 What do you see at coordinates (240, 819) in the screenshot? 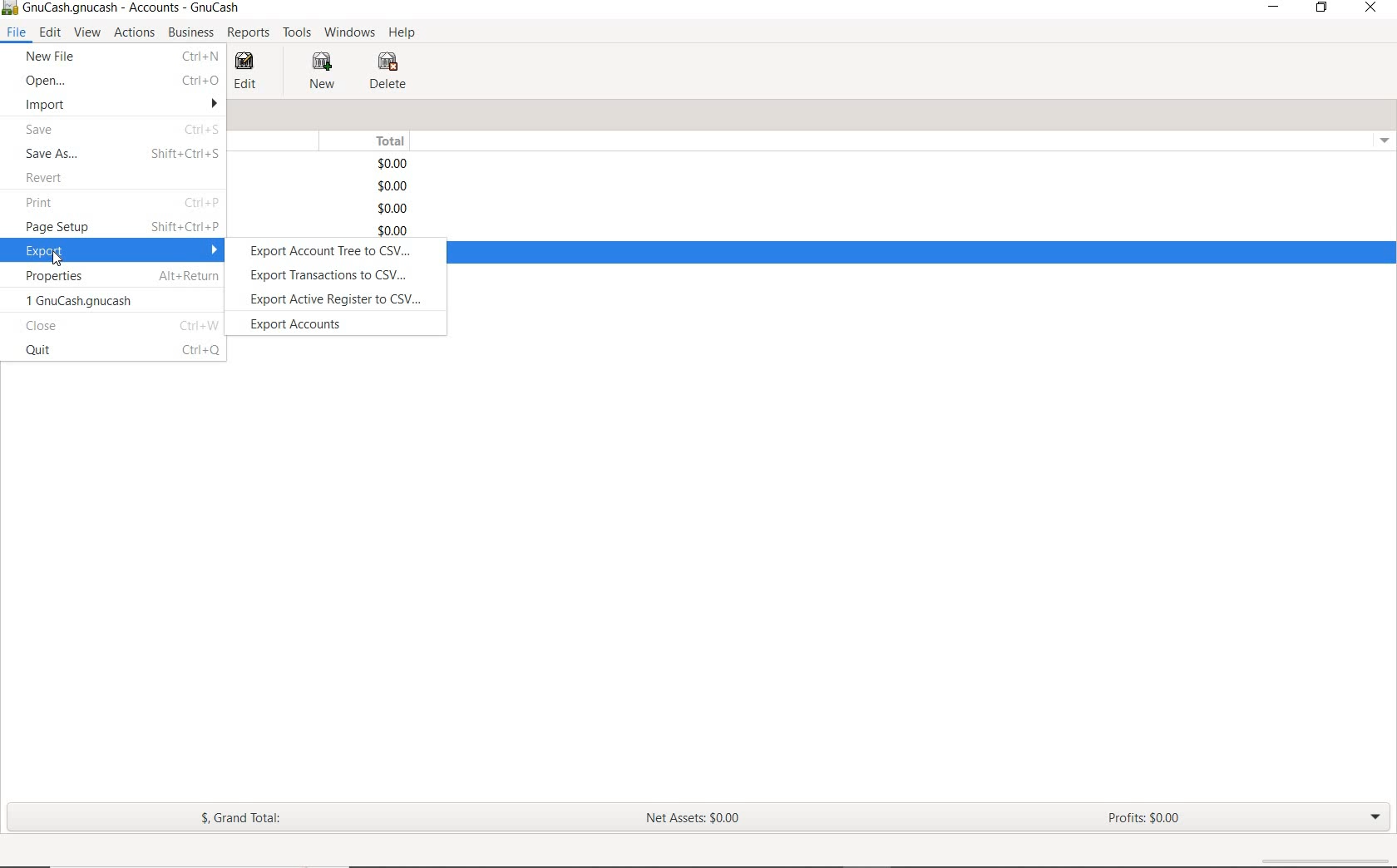
I see `GRAND TOTAL` at bounding box center [240, 819].